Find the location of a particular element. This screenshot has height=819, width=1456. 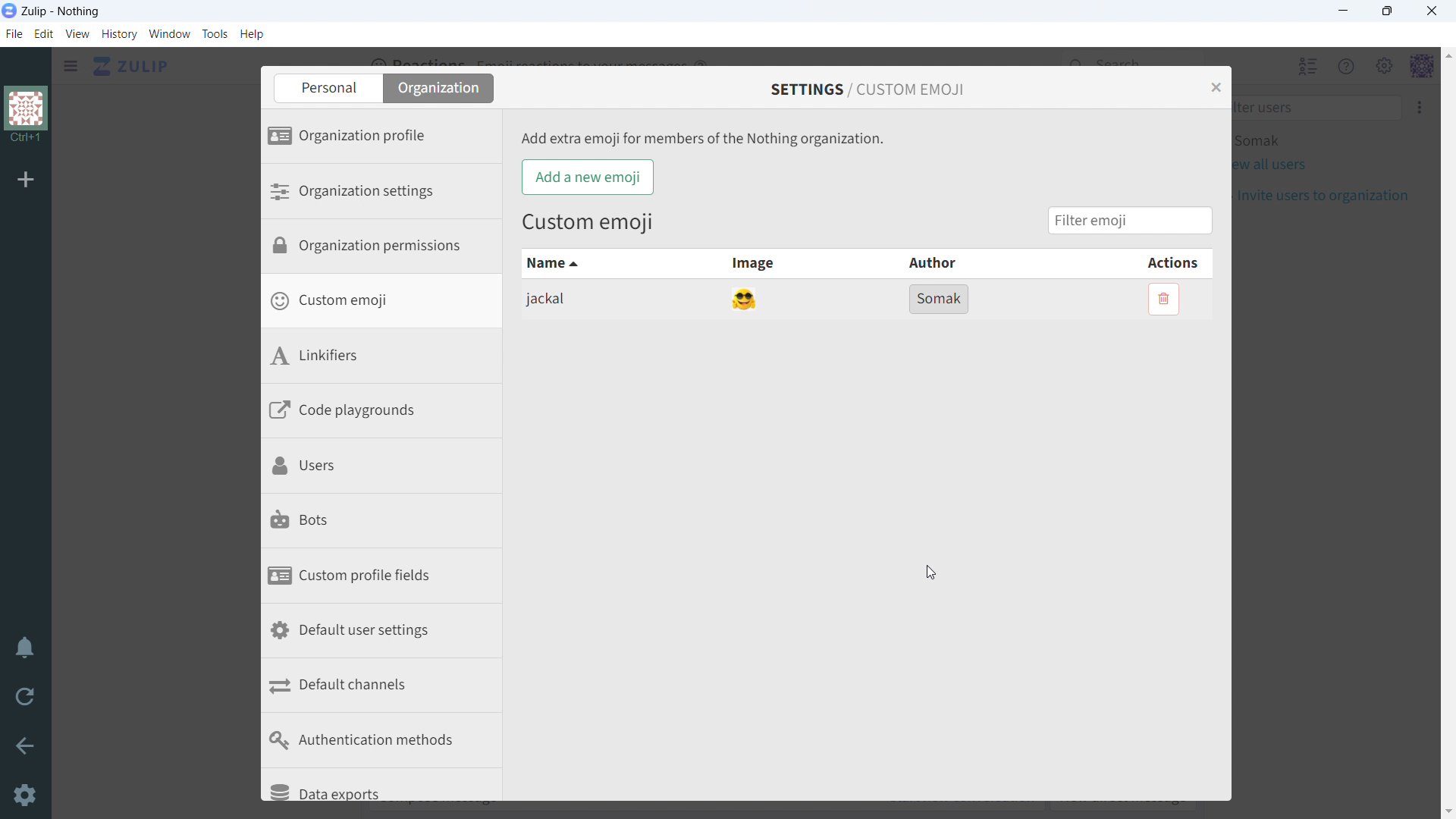

help menu is located at coordinates (1346, 66).